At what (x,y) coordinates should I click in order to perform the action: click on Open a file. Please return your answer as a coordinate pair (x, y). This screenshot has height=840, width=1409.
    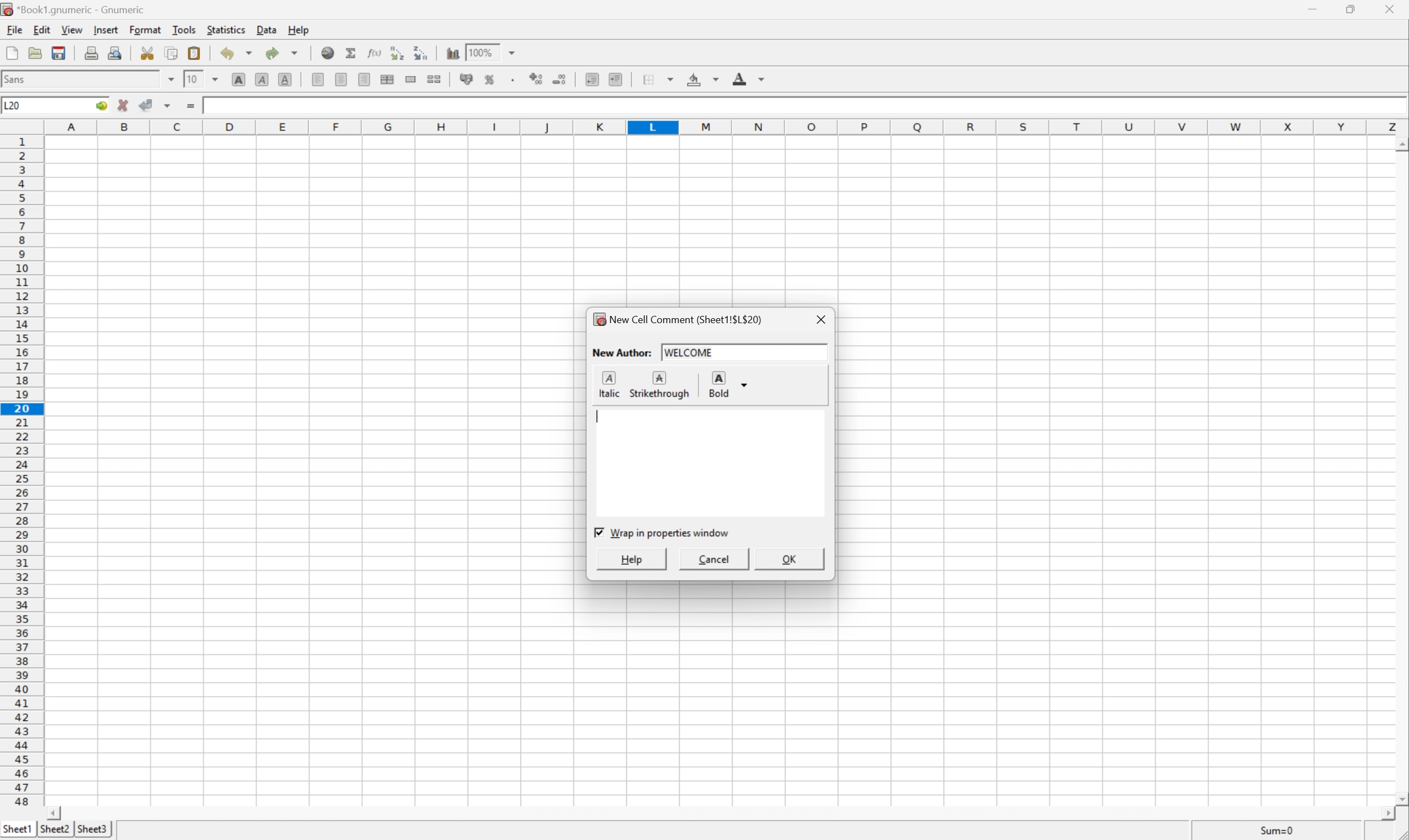
    Looking at the image, I should click on (35, 53).